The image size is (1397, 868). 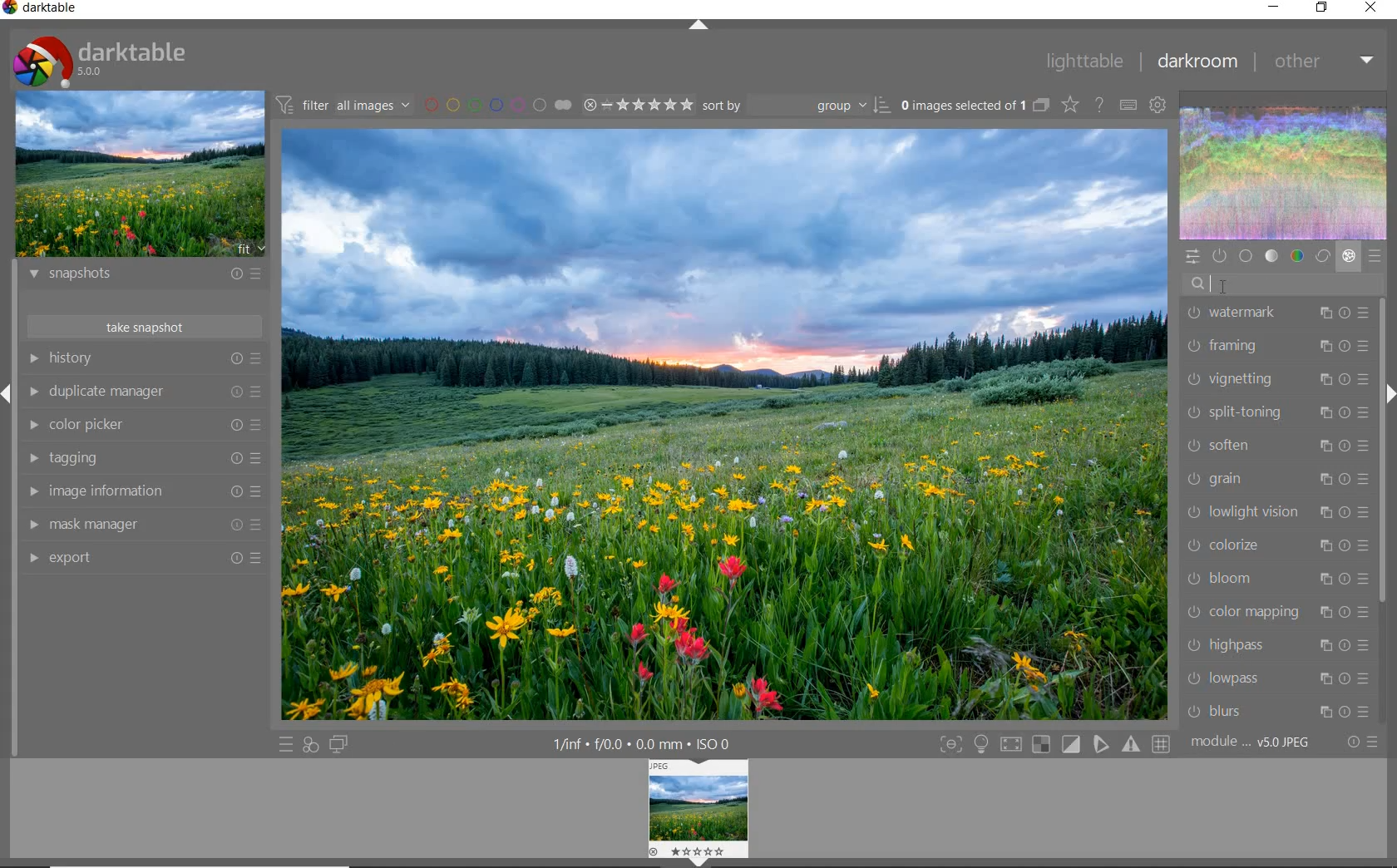 What do you see at coordinates (797, 106) in the screenshot?
I see `sort` at bounding box center [797, 106].